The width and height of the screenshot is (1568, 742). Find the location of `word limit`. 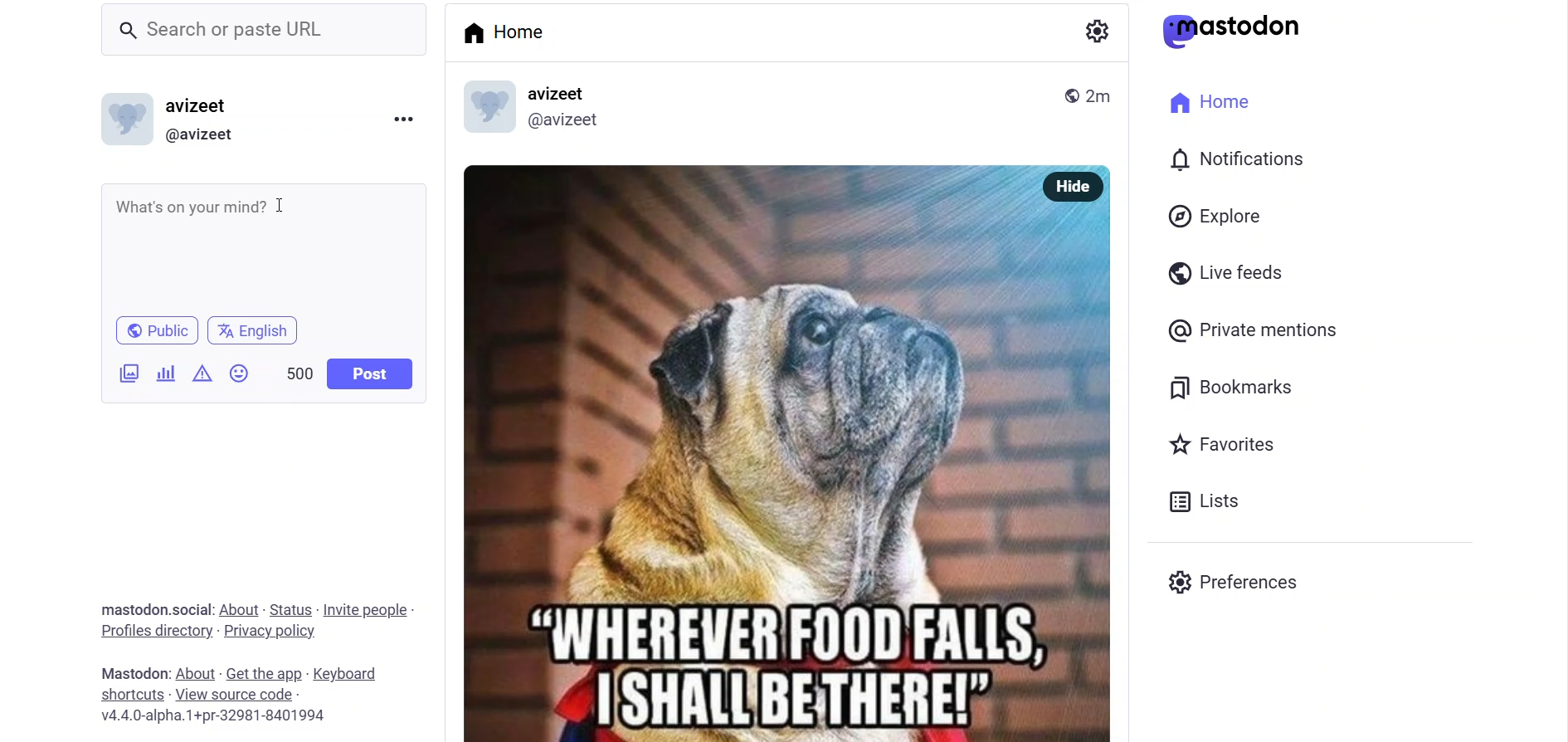

word limit is located at coordinates (297, 373).